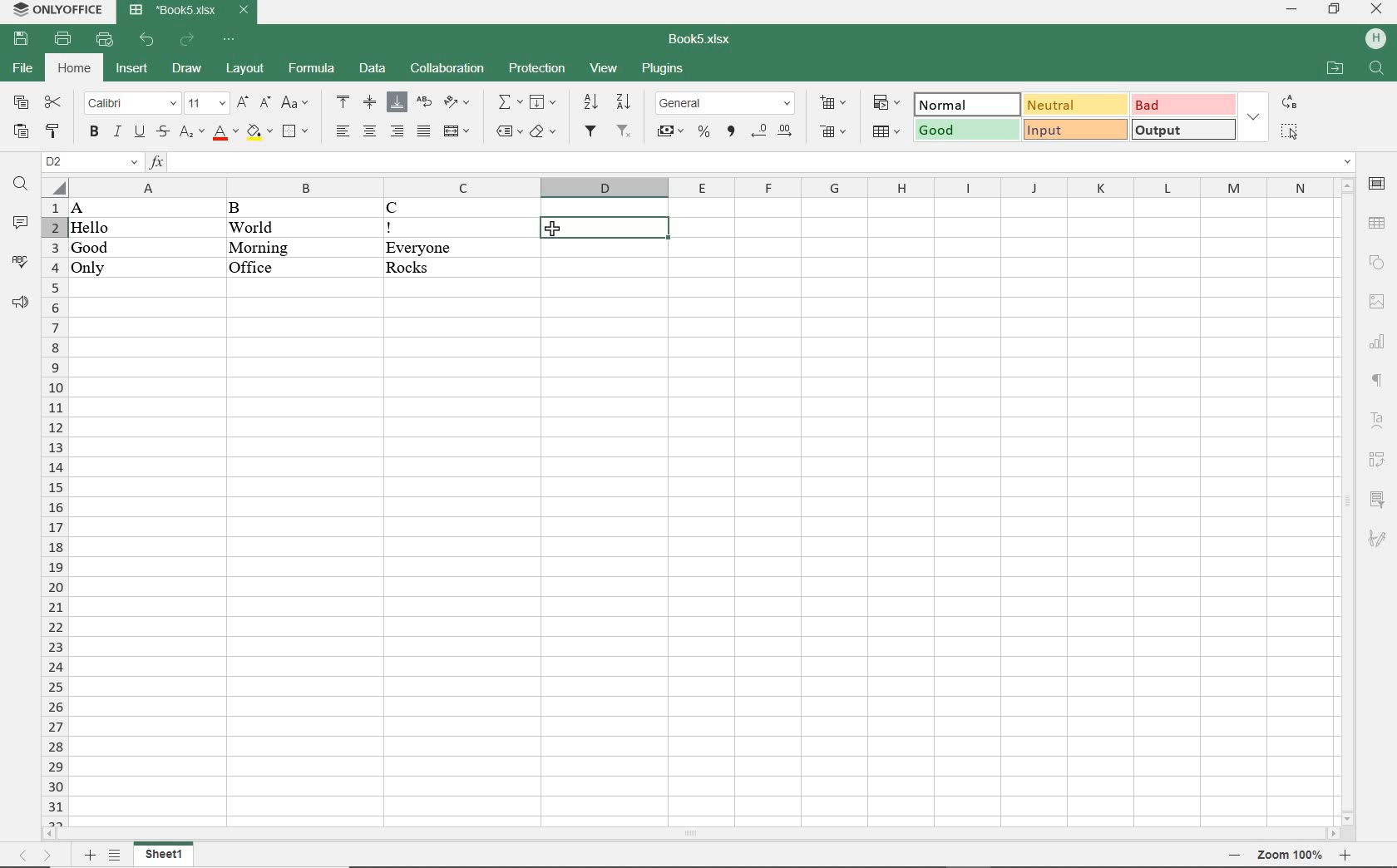 The image size is (1397, 868). Describe the element at coordinates (340, 130) in the screenshot. I see `align left` at that location.